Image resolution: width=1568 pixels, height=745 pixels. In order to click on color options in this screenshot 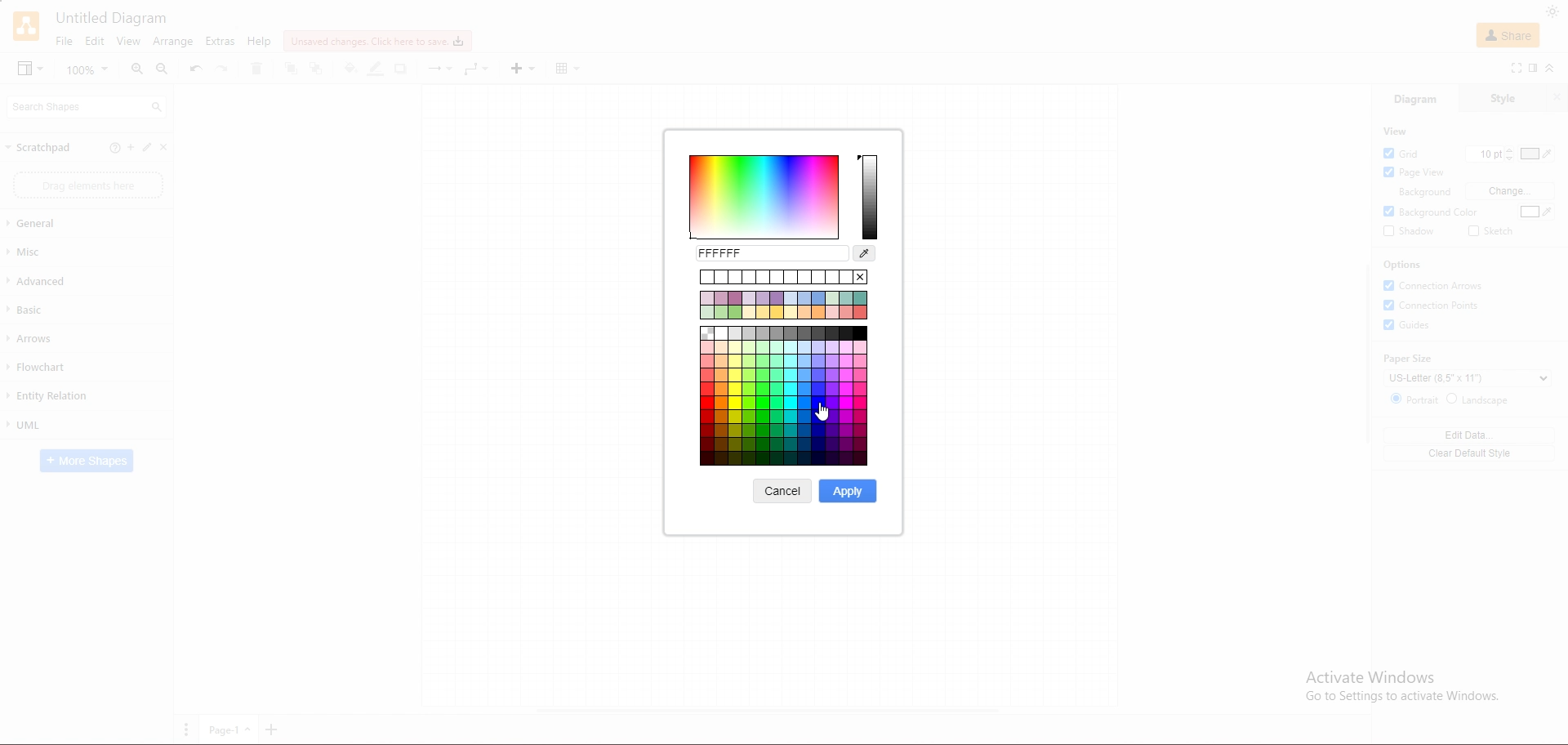, I will do `click(785, 444)`.